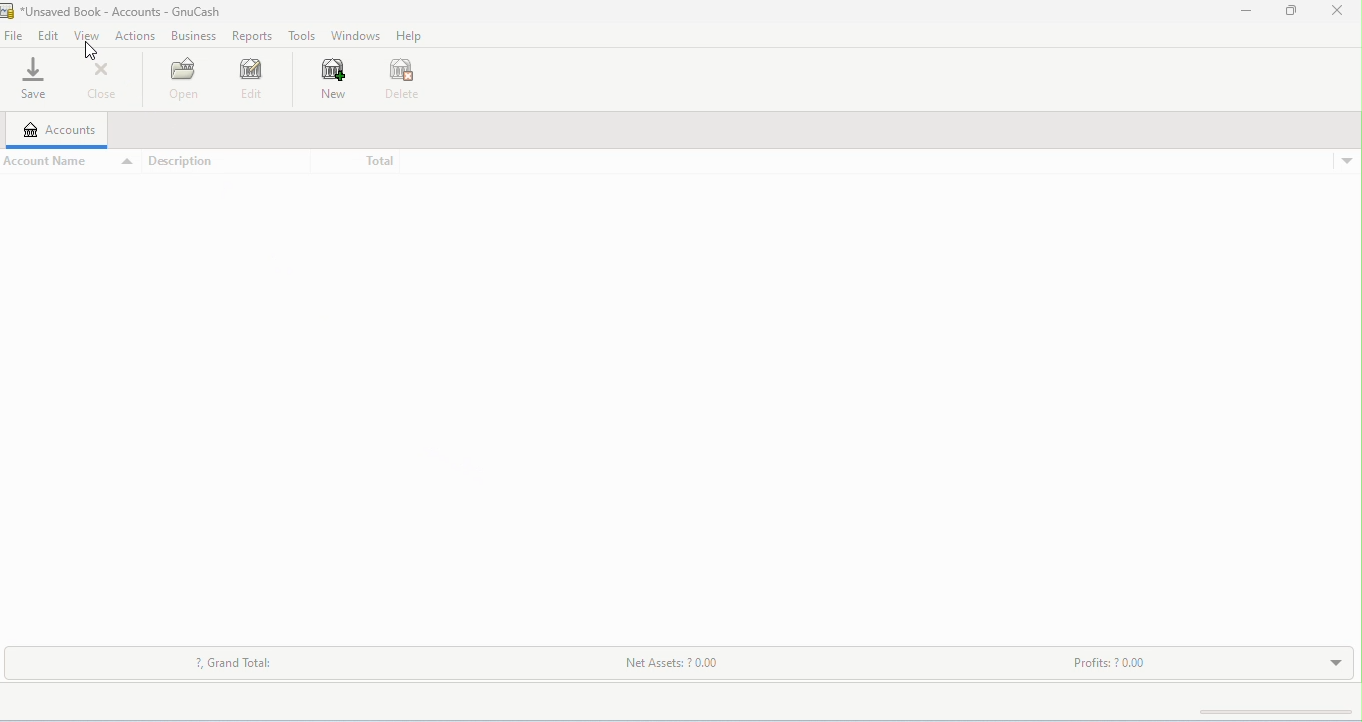  What do you see at coordinates (303, 36) in the screenshot?
I see `tools` at bounding box center [303, 36].